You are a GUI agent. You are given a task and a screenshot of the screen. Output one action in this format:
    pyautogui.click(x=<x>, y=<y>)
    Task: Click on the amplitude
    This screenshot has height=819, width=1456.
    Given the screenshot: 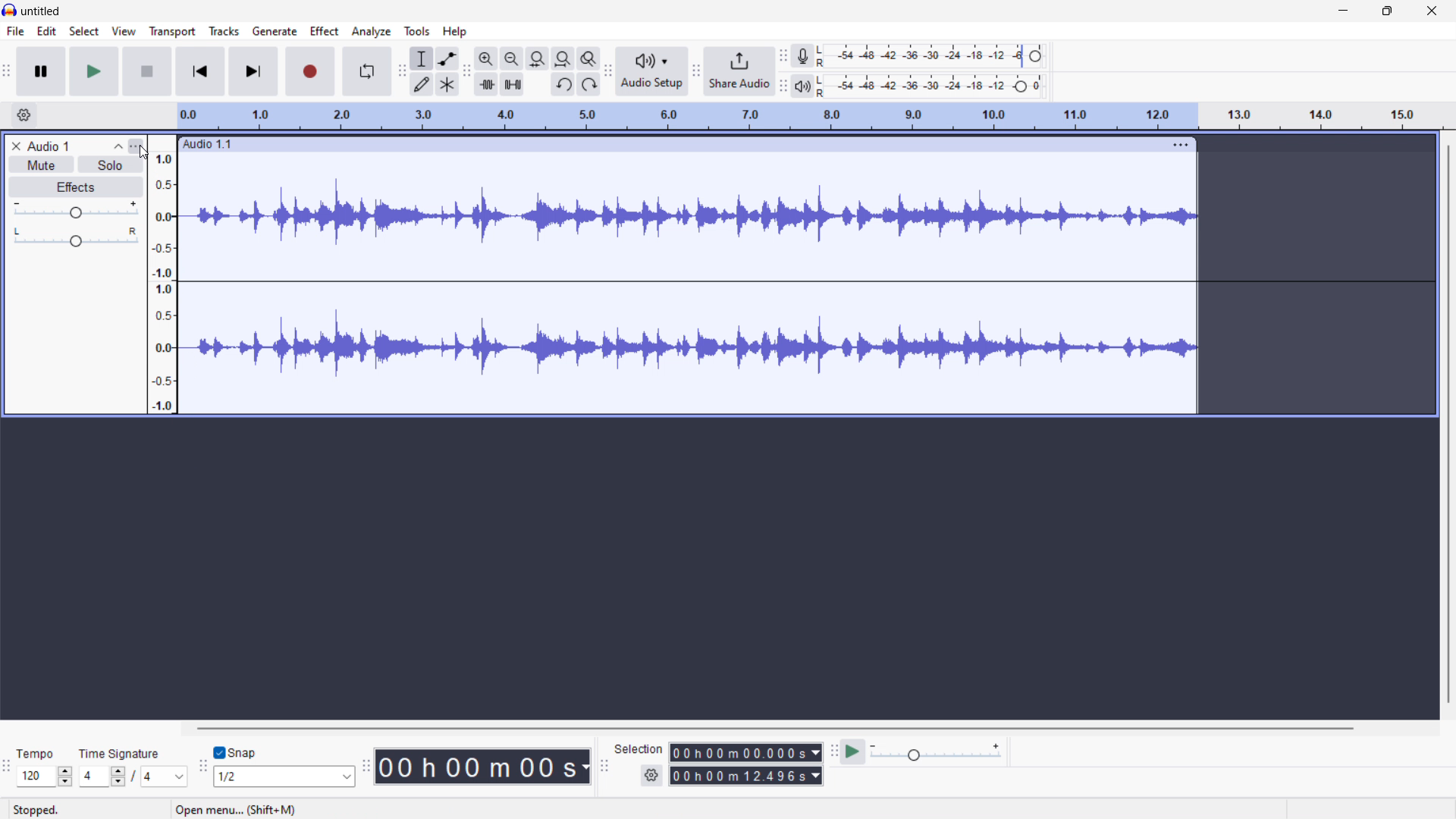 What is the action you would take?
    pyautogui.click(x=163, y=274)
    